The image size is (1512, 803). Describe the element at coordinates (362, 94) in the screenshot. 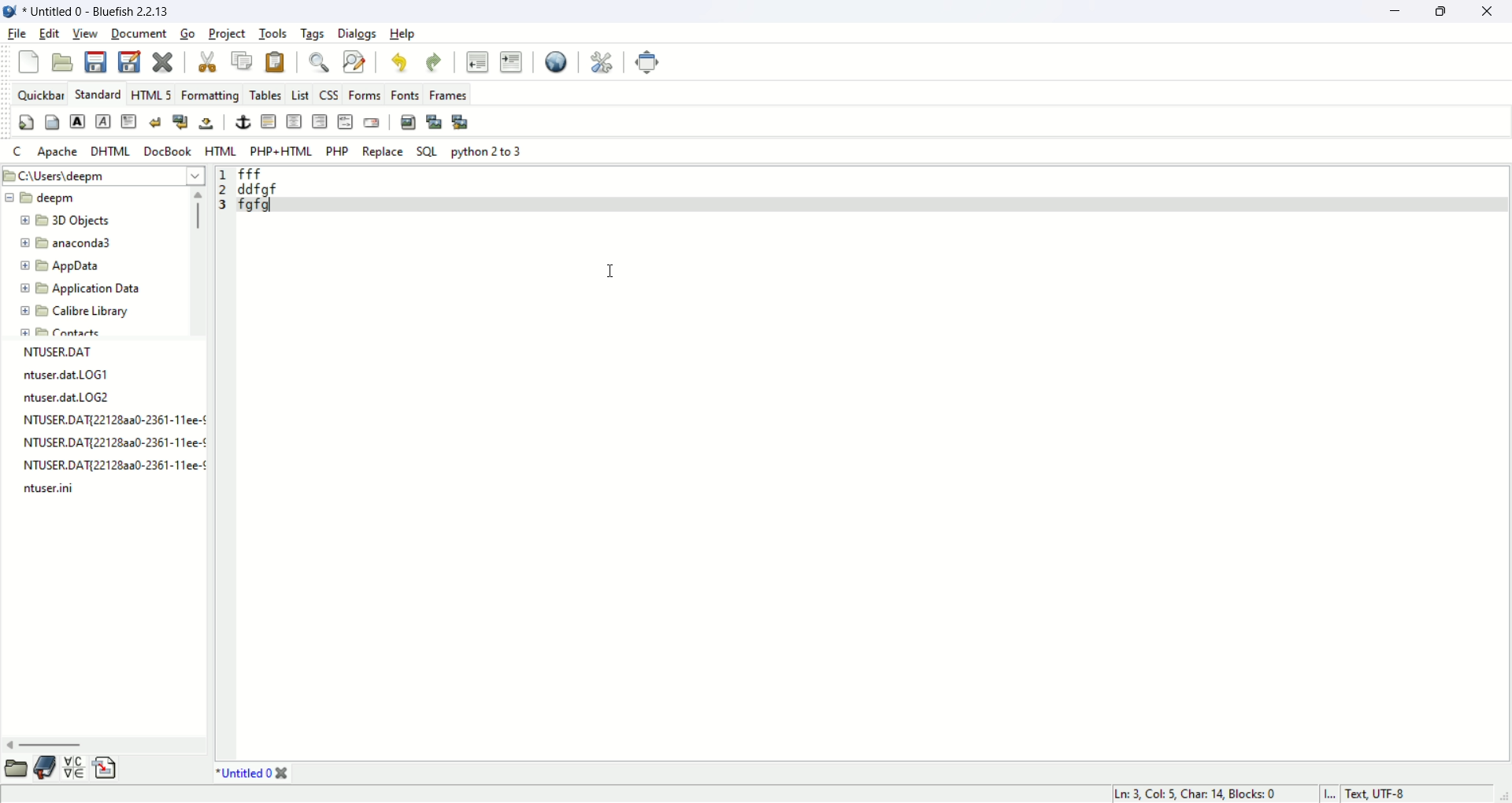

I see `forms` at that location.